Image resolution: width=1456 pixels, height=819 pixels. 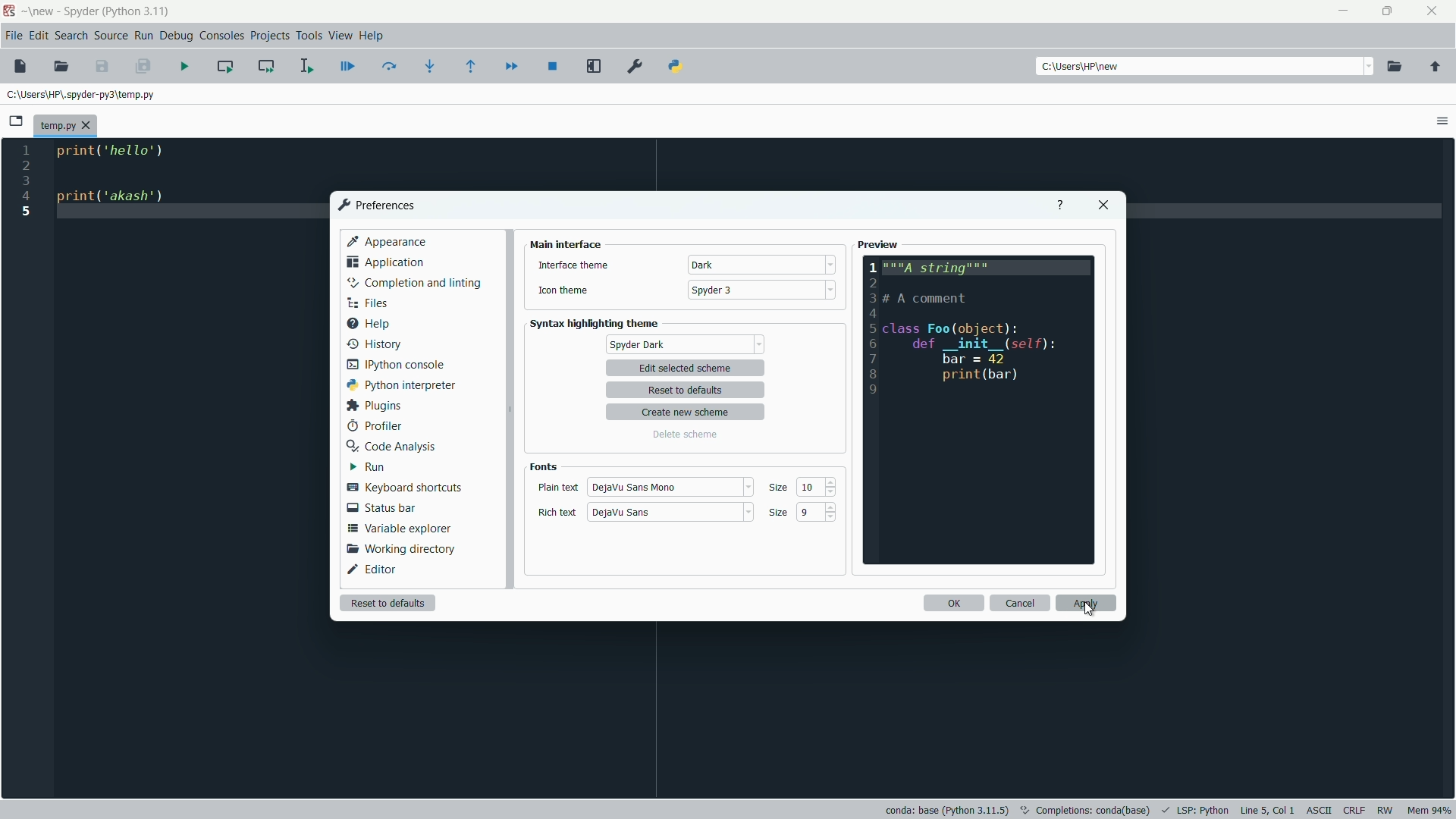 What do you see at coordinates (716, 290) in the screenshot?
I see `Spyder 3` at bounding box center [716, 290].